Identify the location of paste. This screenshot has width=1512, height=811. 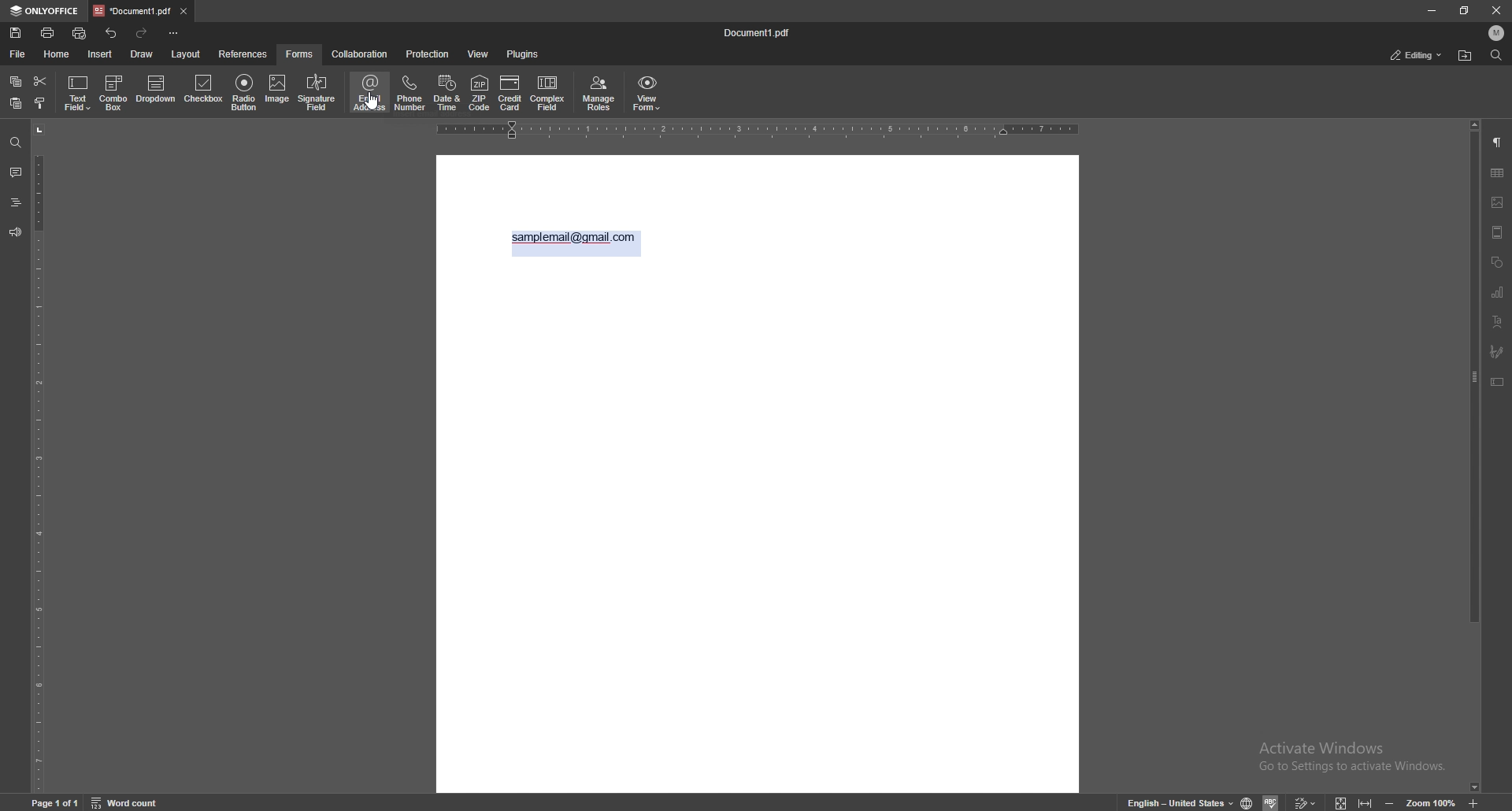
(15, 103).